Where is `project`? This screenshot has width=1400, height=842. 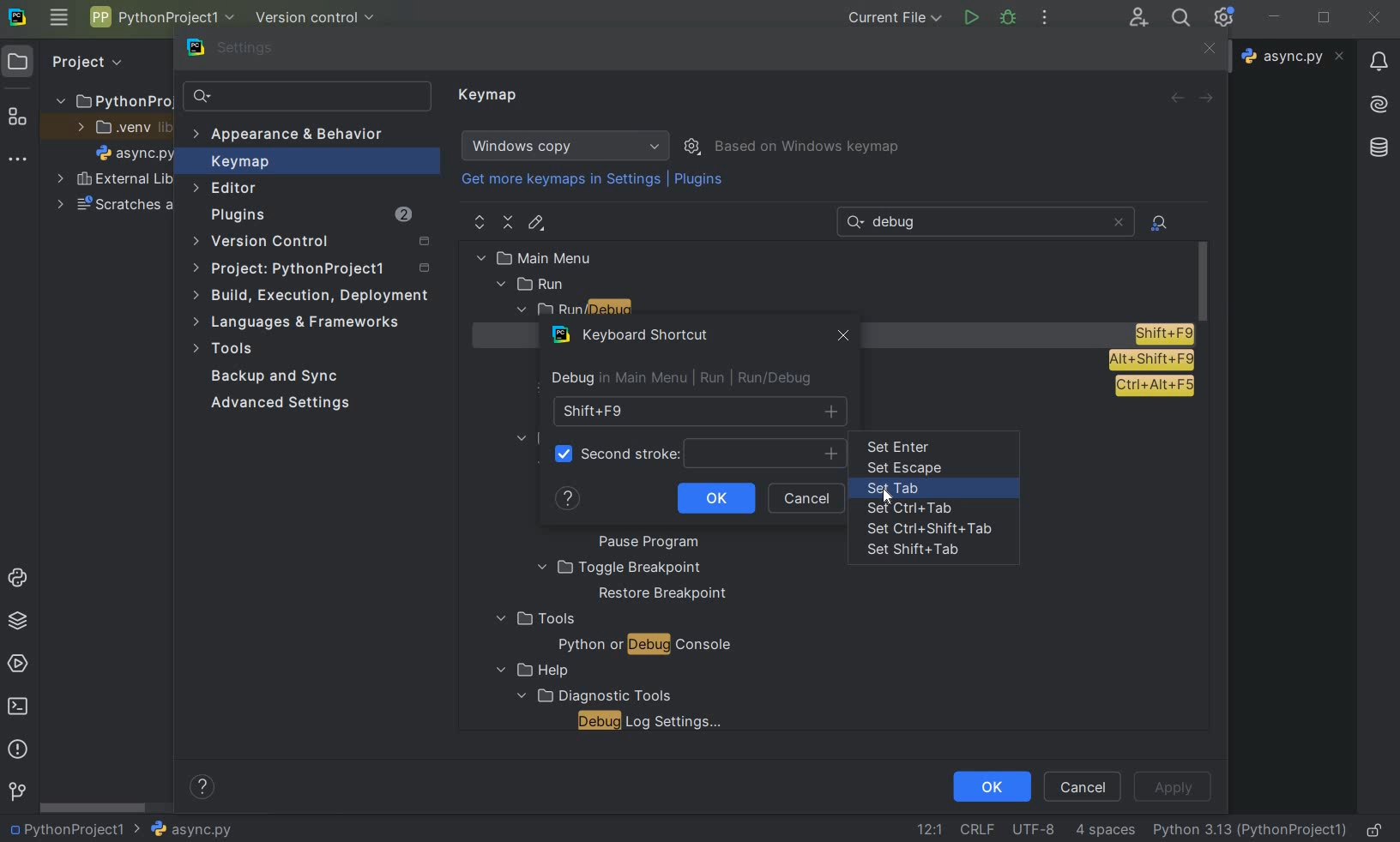 project is located at coordinates (314, 271).